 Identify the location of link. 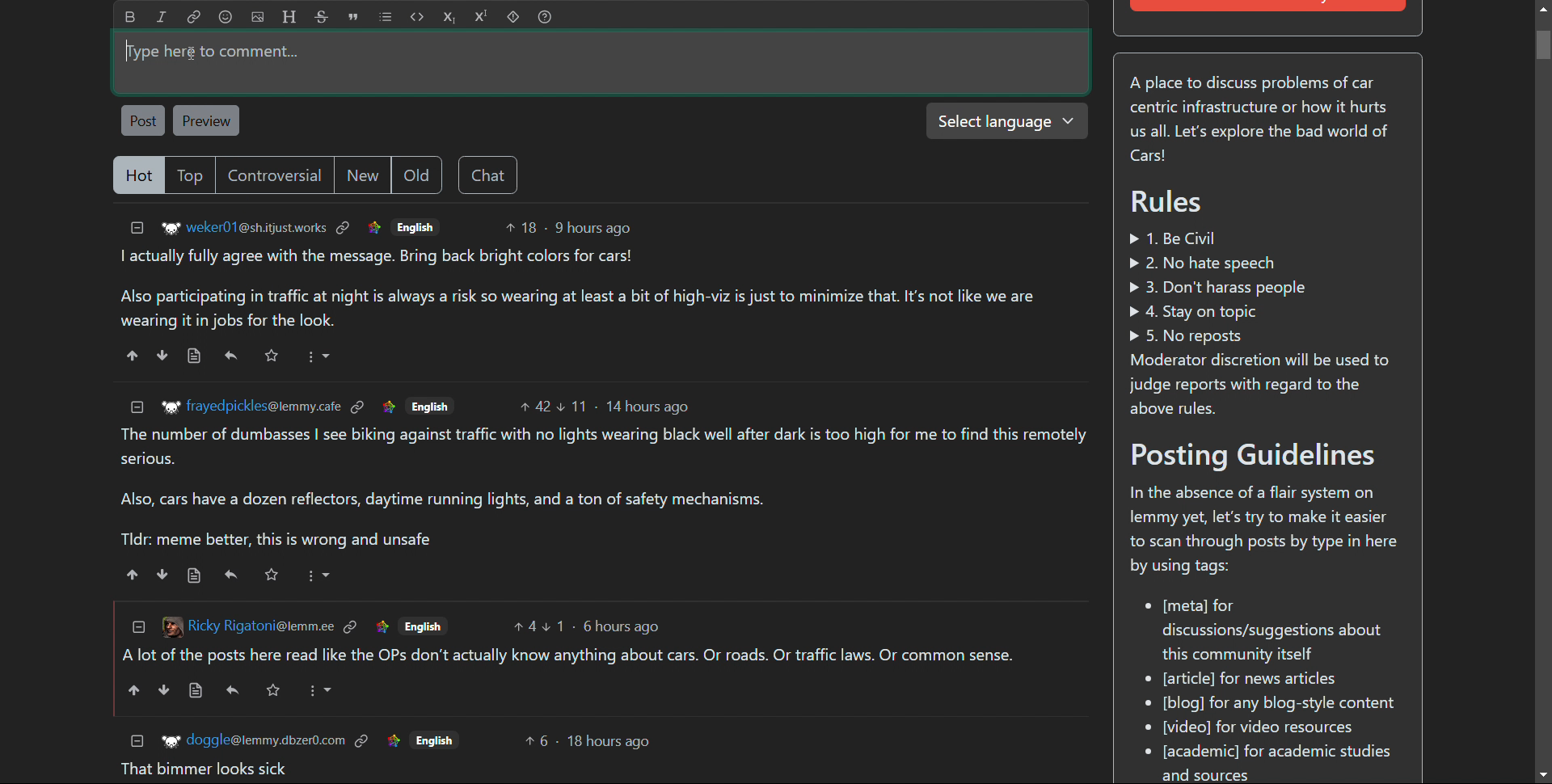
(350, 626).